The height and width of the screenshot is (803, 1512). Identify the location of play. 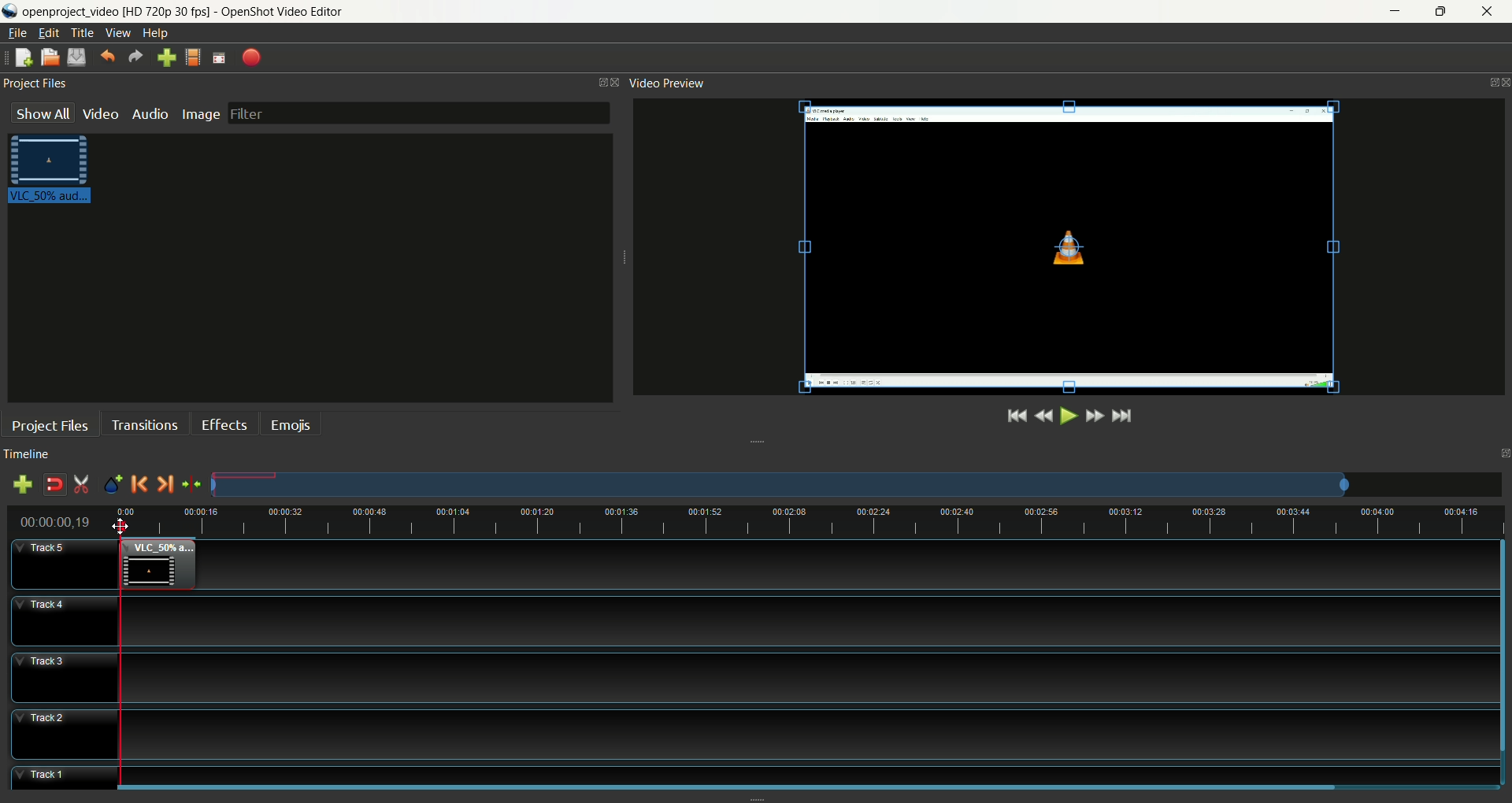
(1066, 416).